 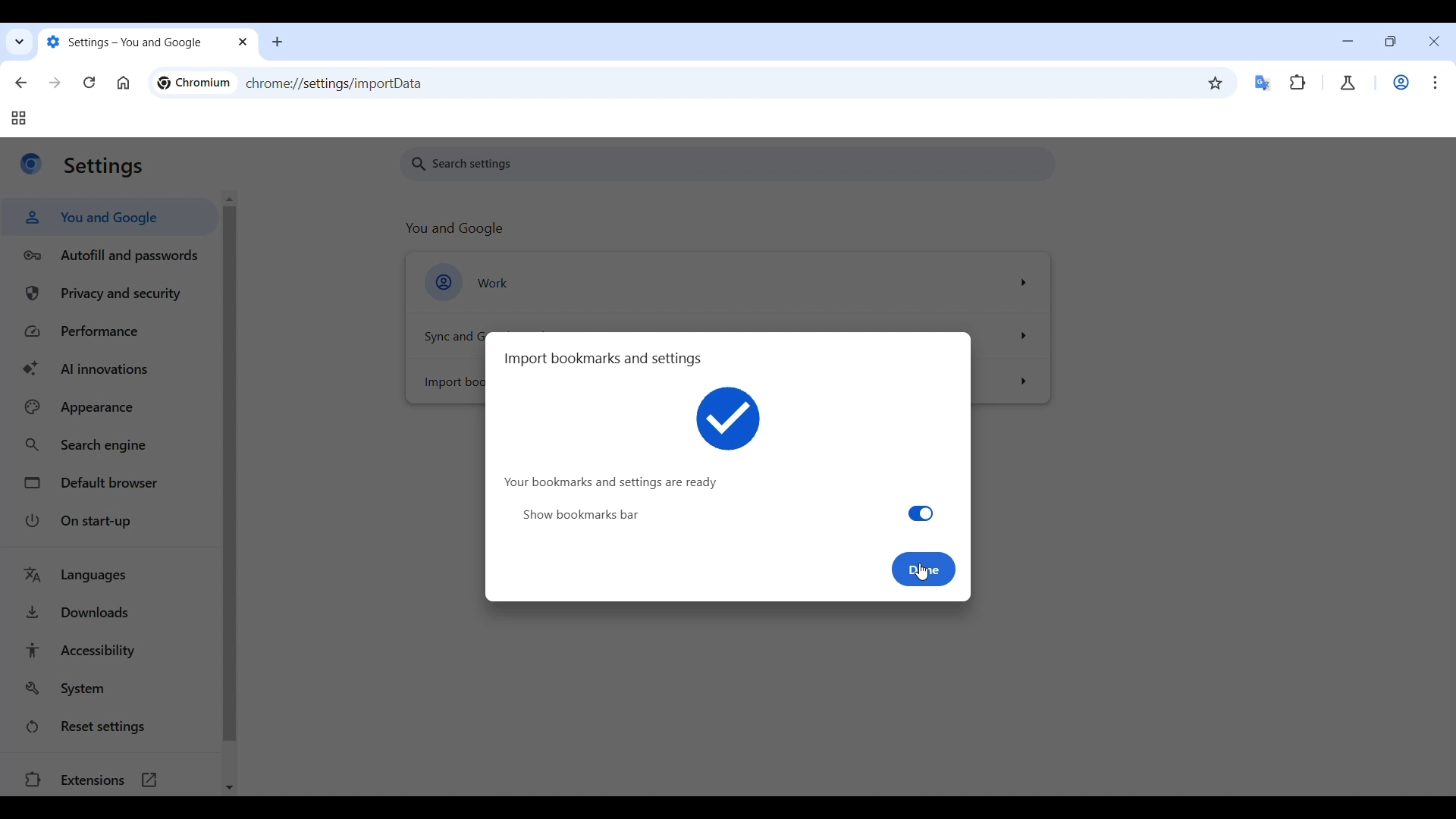 What do you see at coordinates (1401, 82) in the screenshot?
I see `Work` at bounding box center [1401, 82].